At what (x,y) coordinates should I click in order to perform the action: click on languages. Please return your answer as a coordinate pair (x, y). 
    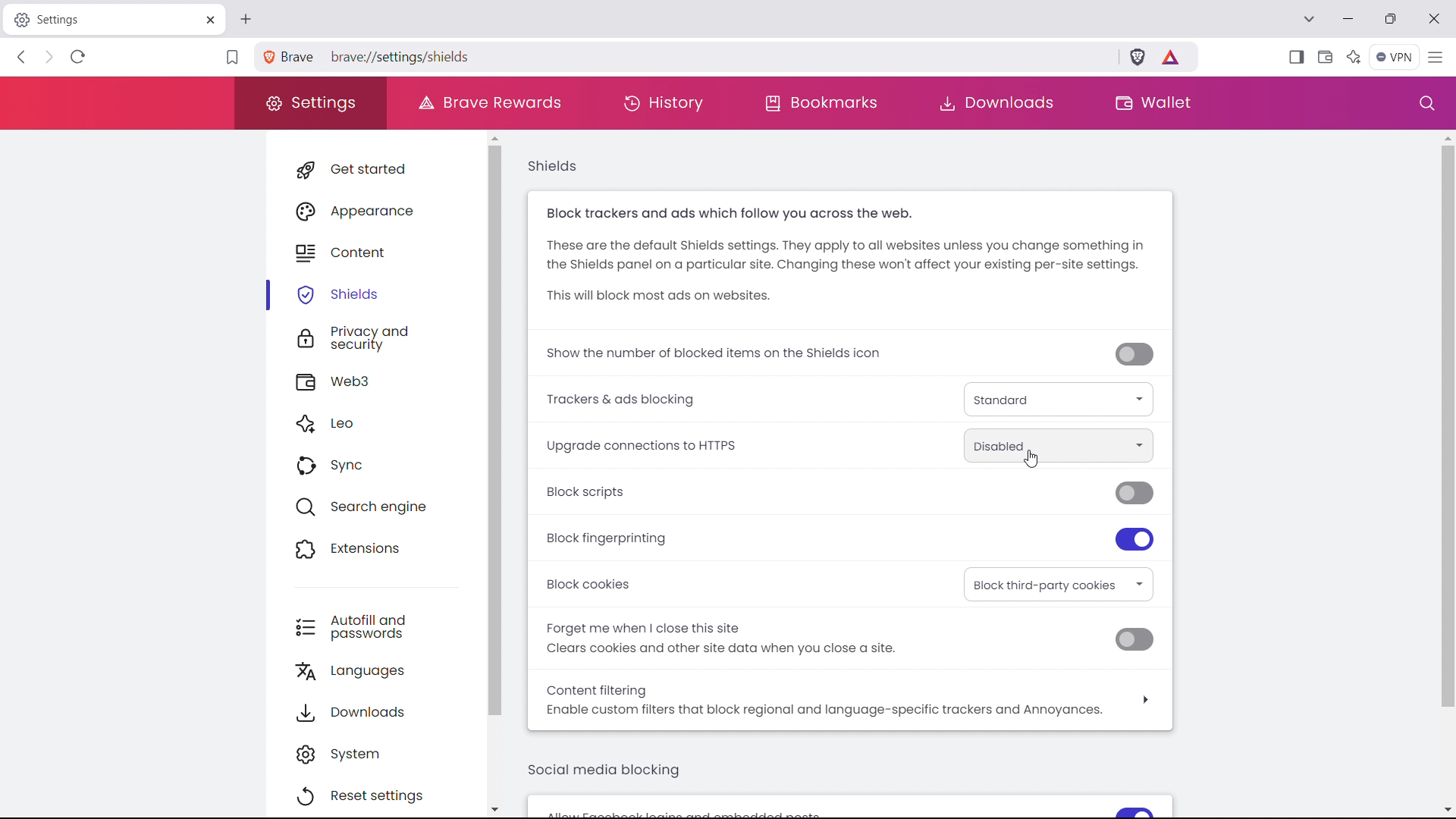
    Looking at the image, I should click on (384, 670).